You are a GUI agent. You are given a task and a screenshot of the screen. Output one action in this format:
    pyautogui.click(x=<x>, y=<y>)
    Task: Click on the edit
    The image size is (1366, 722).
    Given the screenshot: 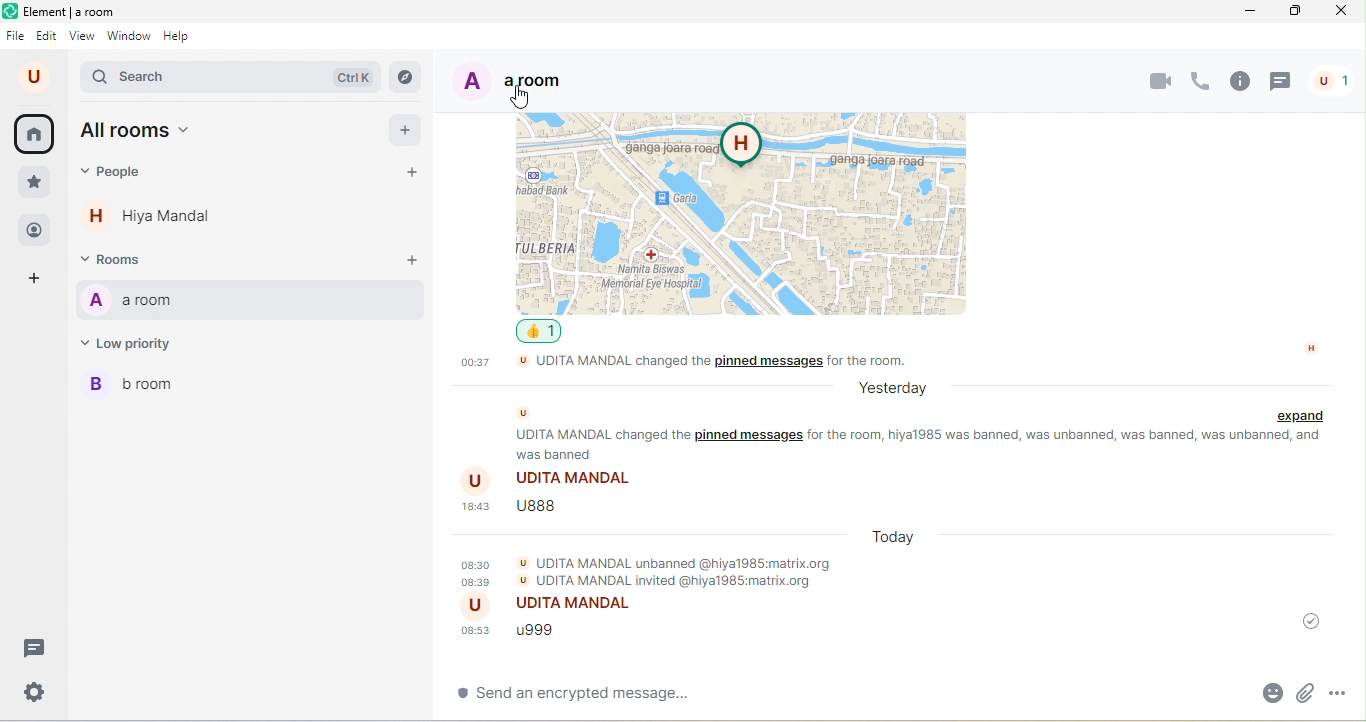 What is the action you would take?
    pyautogui.click(x=48, y=36)
    